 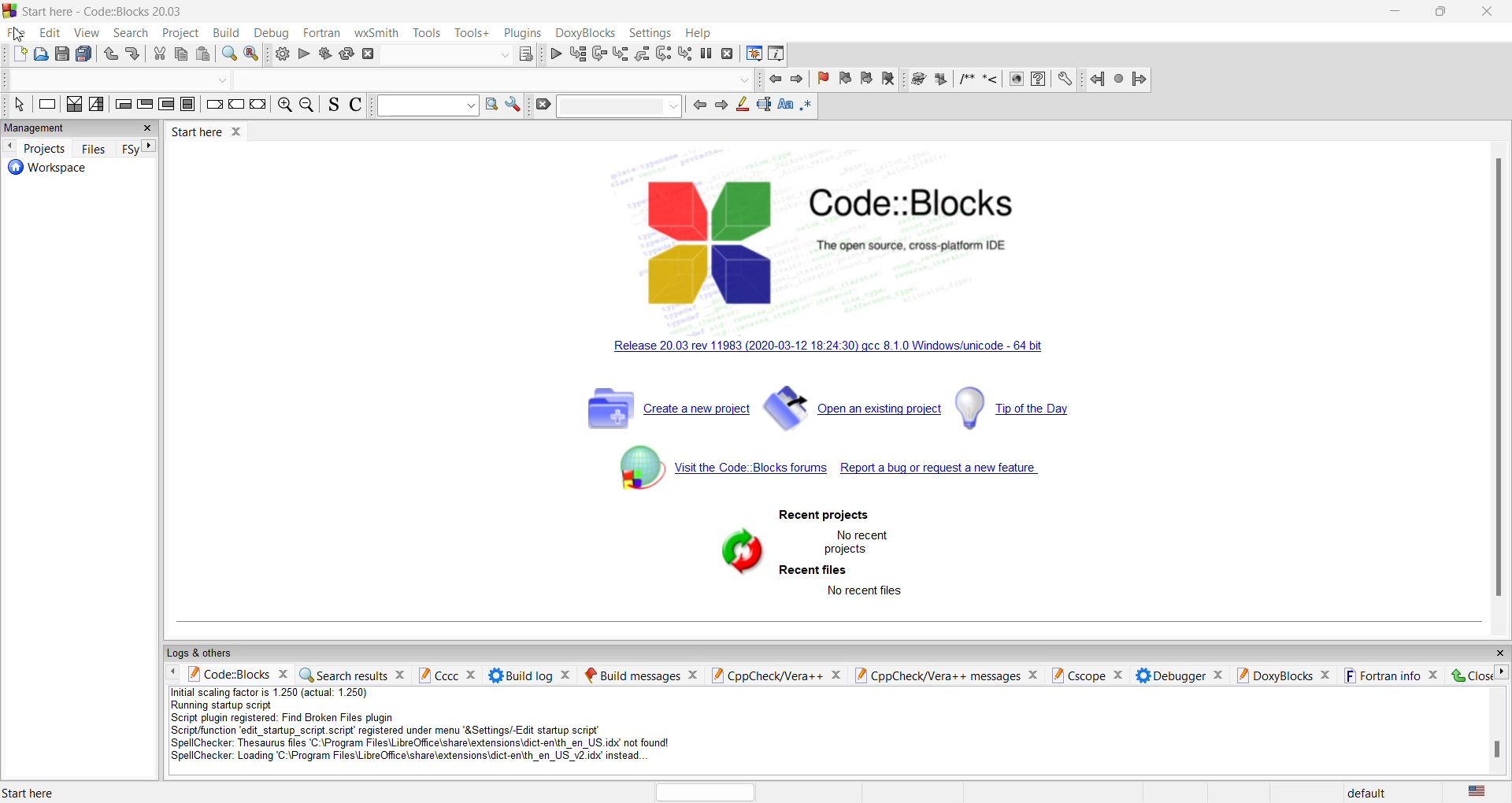 What do you see at coordinates (850, 350) in the screenshot?
I see `new release` at bounding box center [850, 350].